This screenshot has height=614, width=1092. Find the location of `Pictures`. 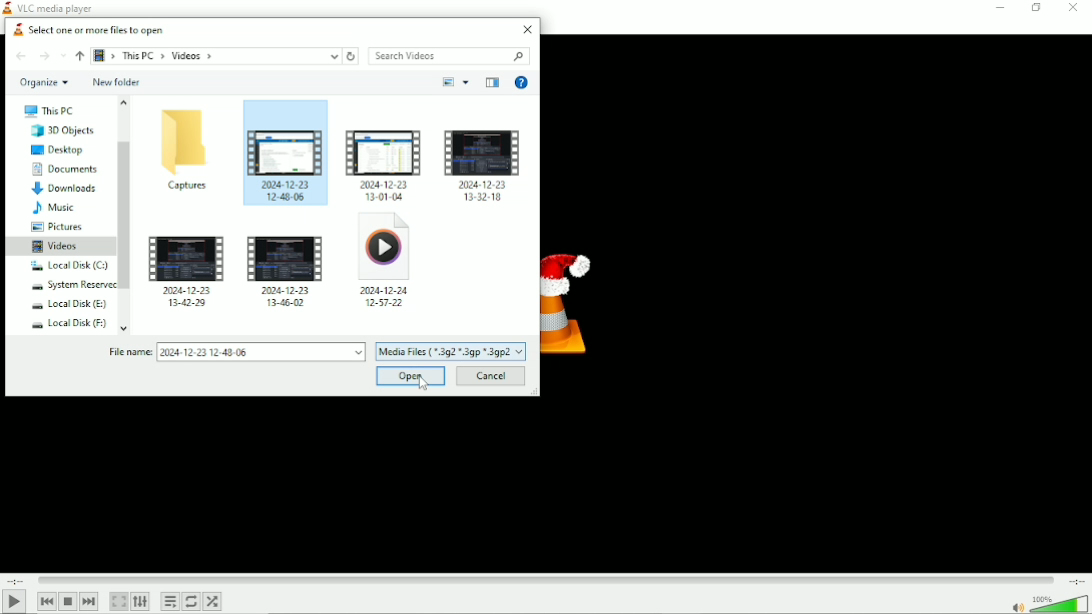

Pictures is located at coordinates (55, 227).